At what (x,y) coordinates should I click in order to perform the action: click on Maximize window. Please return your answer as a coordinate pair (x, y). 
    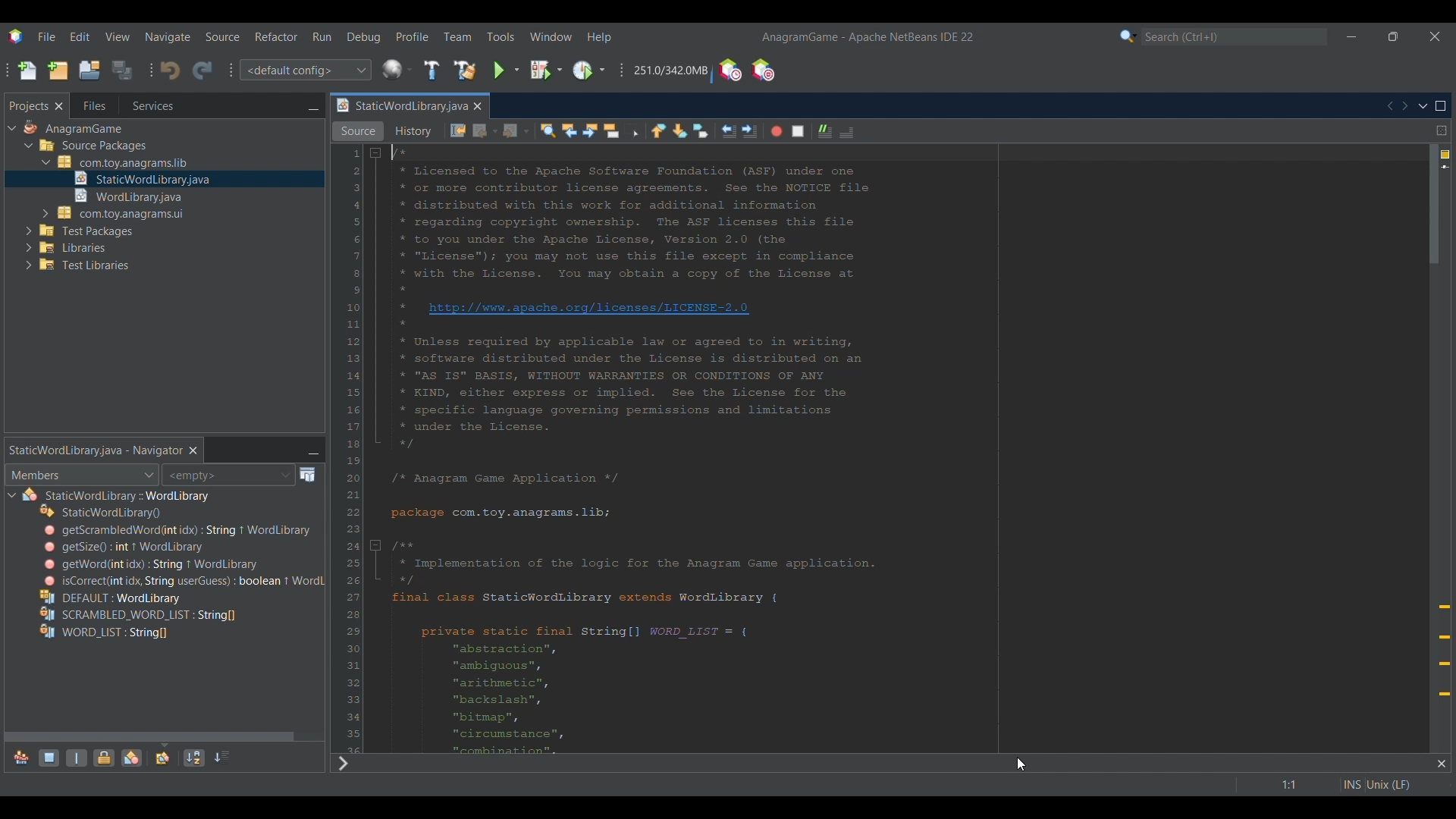
    Looking at the image, I should click on (1441, 106).